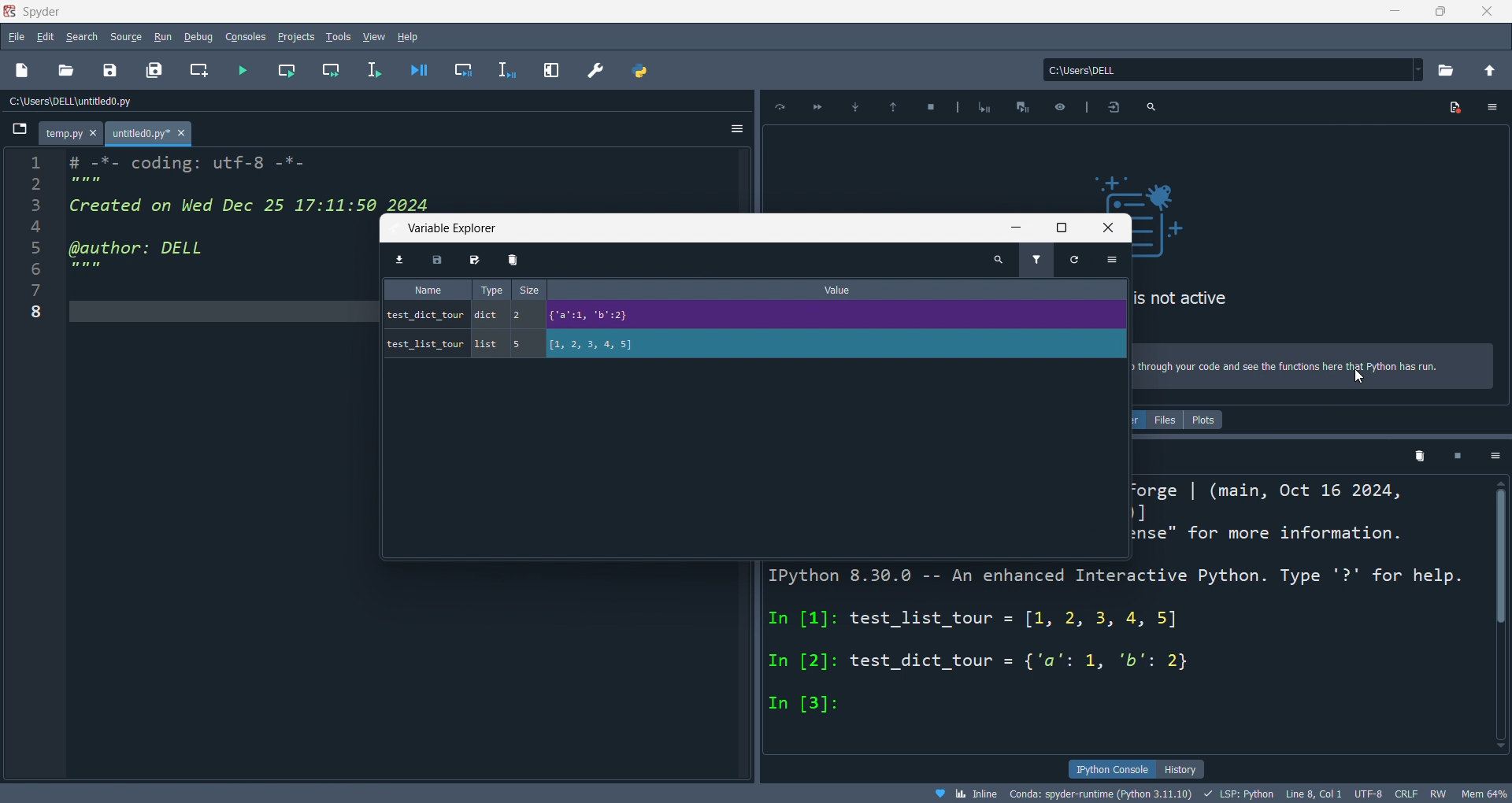 This screenshot has width=1512, height=803. What do you see at coordinates (224, 223) in the screenshot?
I see `editor pane` at bounding box center [224, 223].